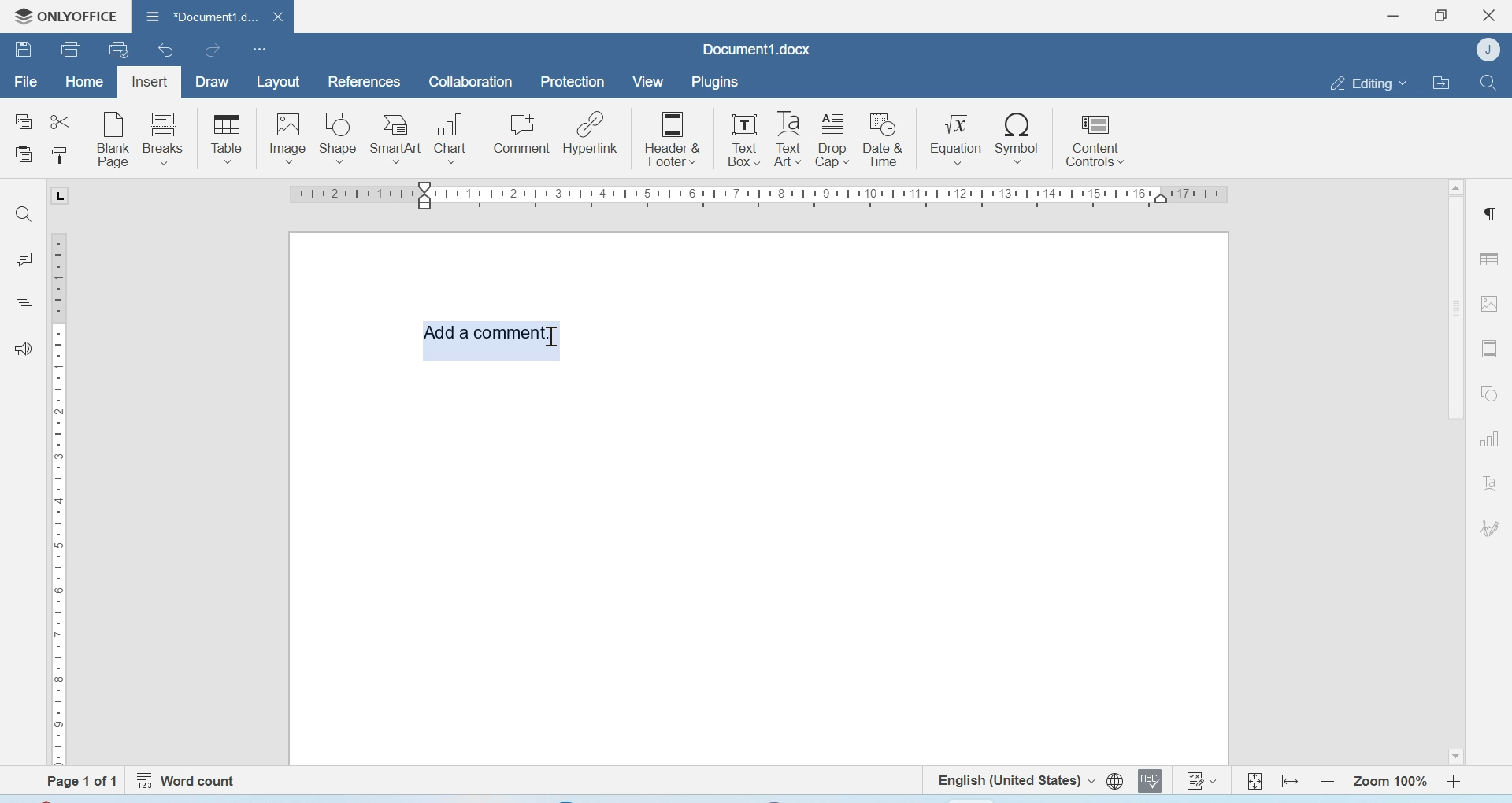 Image resolution: width=1512 pixels, height=803 pixels. I want to click on close, so click(280, 16).